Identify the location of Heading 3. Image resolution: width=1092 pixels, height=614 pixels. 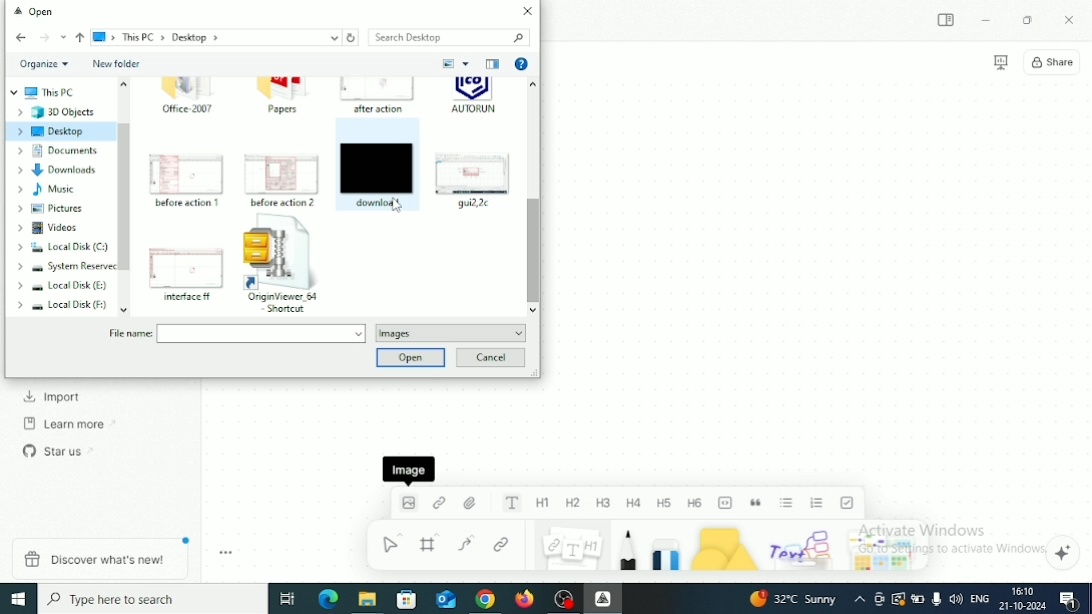
(604, 503).